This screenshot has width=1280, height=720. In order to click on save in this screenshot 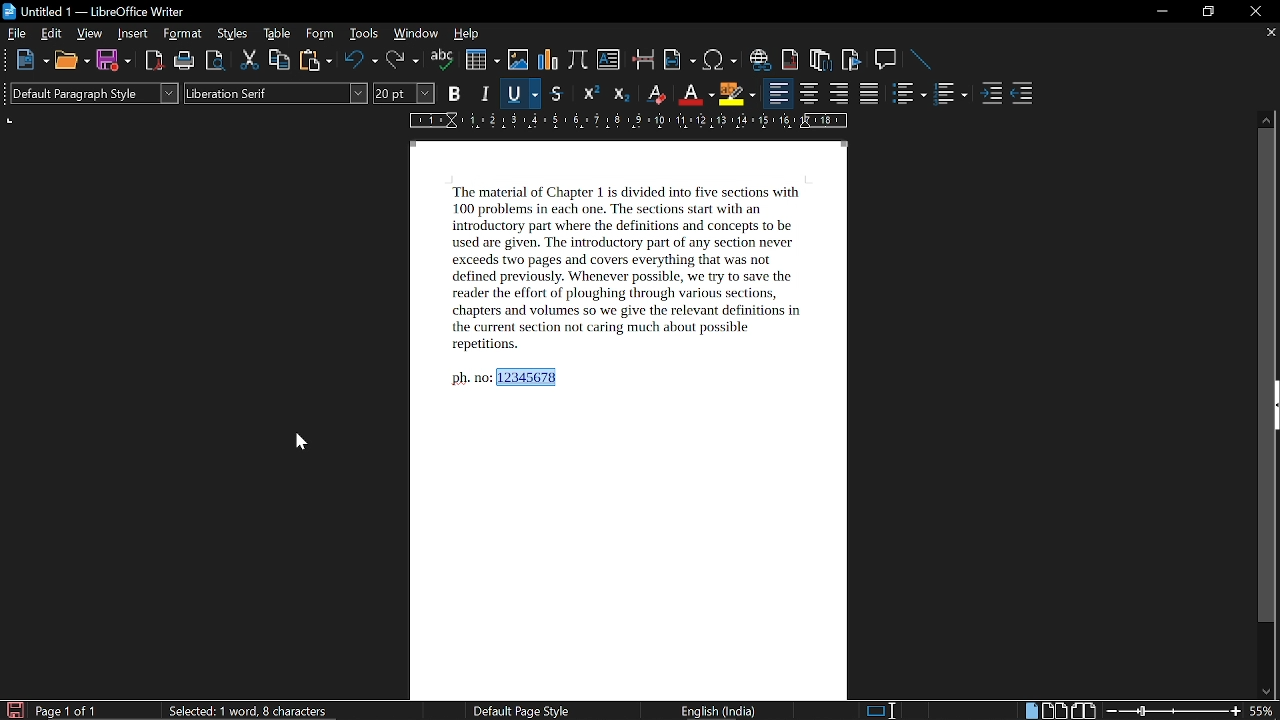, I will do `click(113, 60)`.